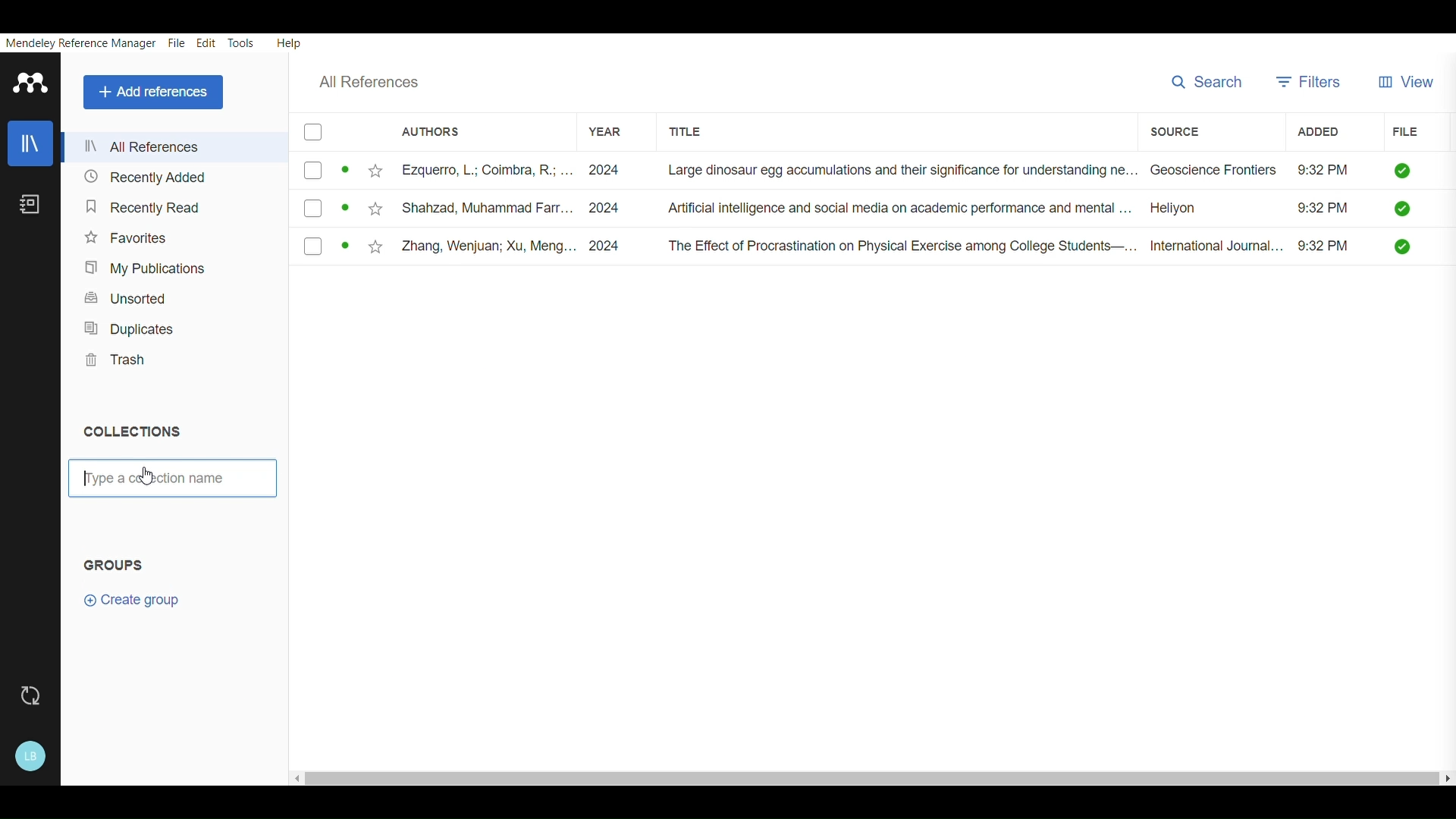  What do you see at coordinates (176, 42) in the screenshot?
I see `File` at bounding box center [176, 42].